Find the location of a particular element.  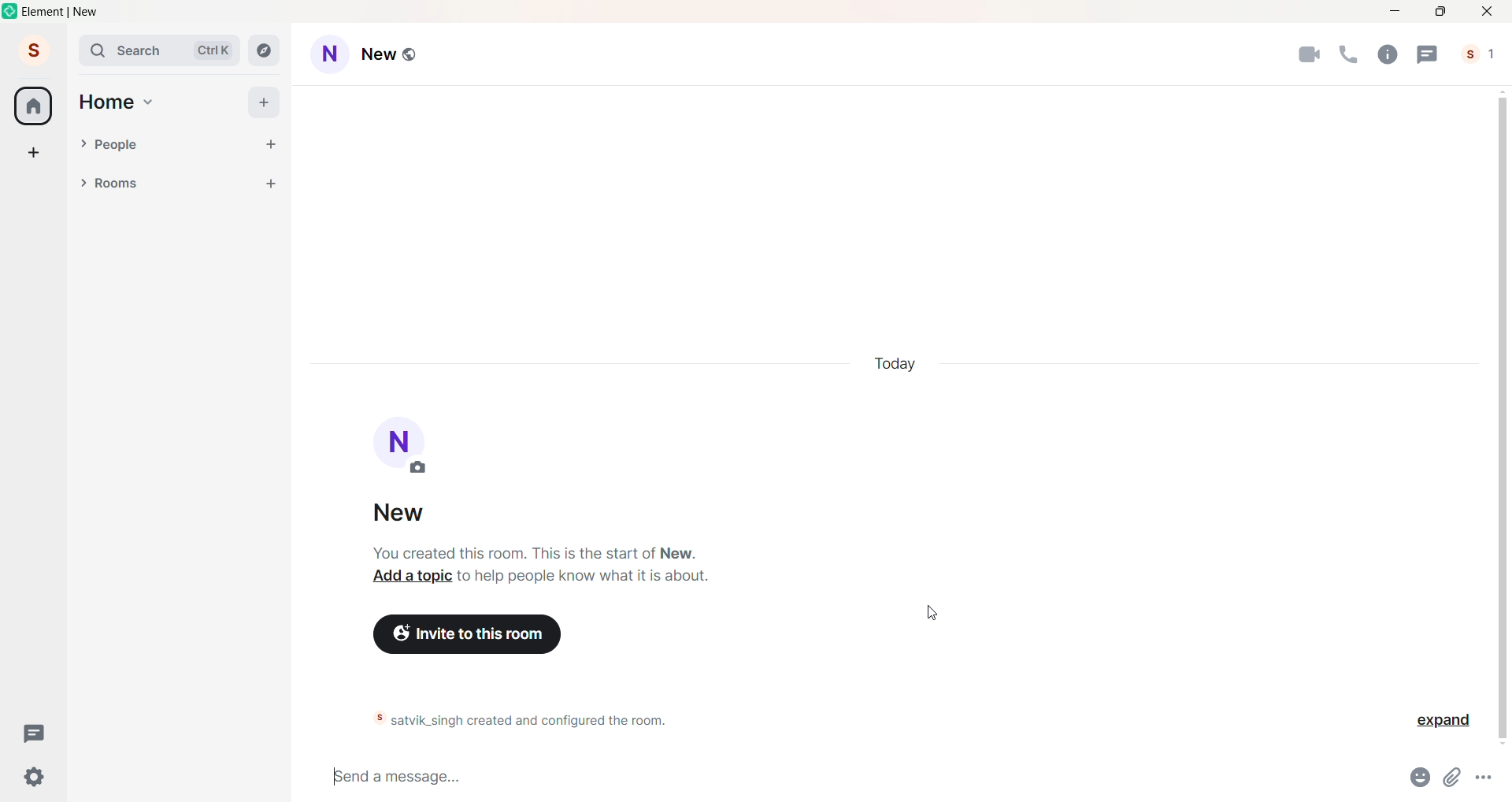

Expand is located at coordinates (1443, 723).